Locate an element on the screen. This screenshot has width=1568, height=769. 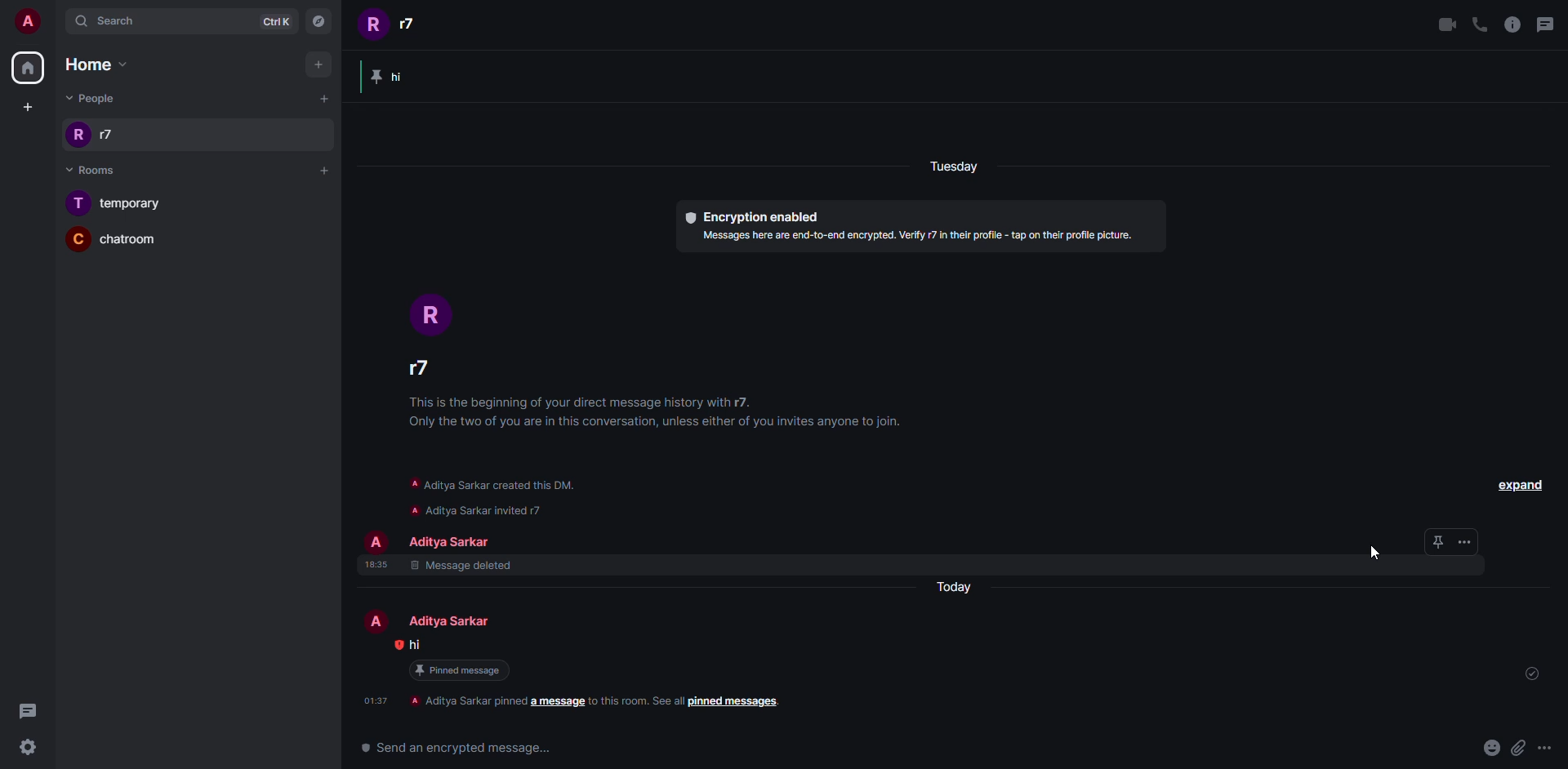
add is located at coordinates (322, 168).